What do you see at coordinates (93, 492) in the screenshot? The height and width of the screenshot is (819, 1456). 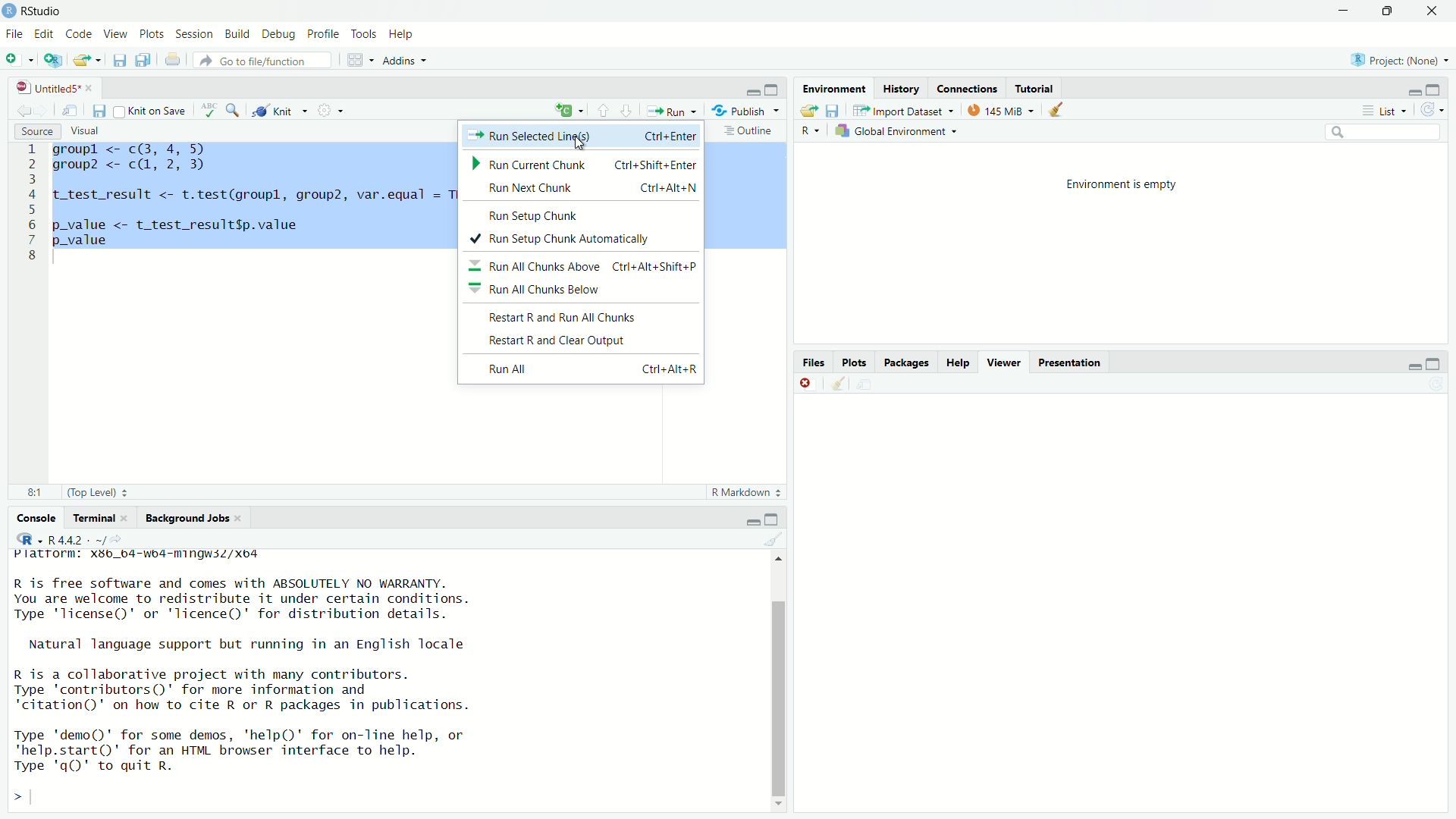 I see `(Top Level) =` at bounding box center [93, 492].